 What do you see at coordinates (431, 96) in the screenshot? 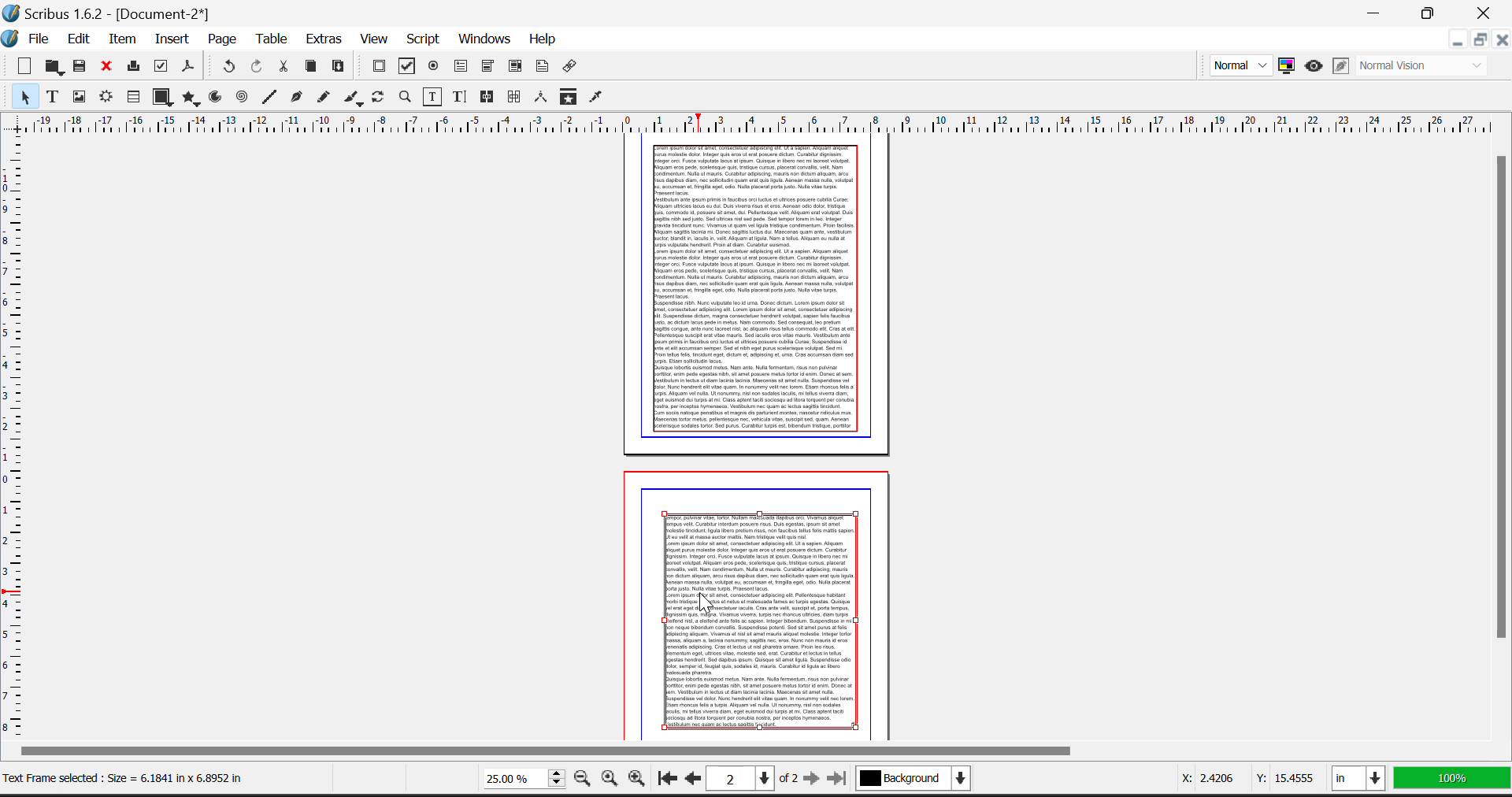
I see `Edit Contents of Frame` at bounding box center [431, 96].